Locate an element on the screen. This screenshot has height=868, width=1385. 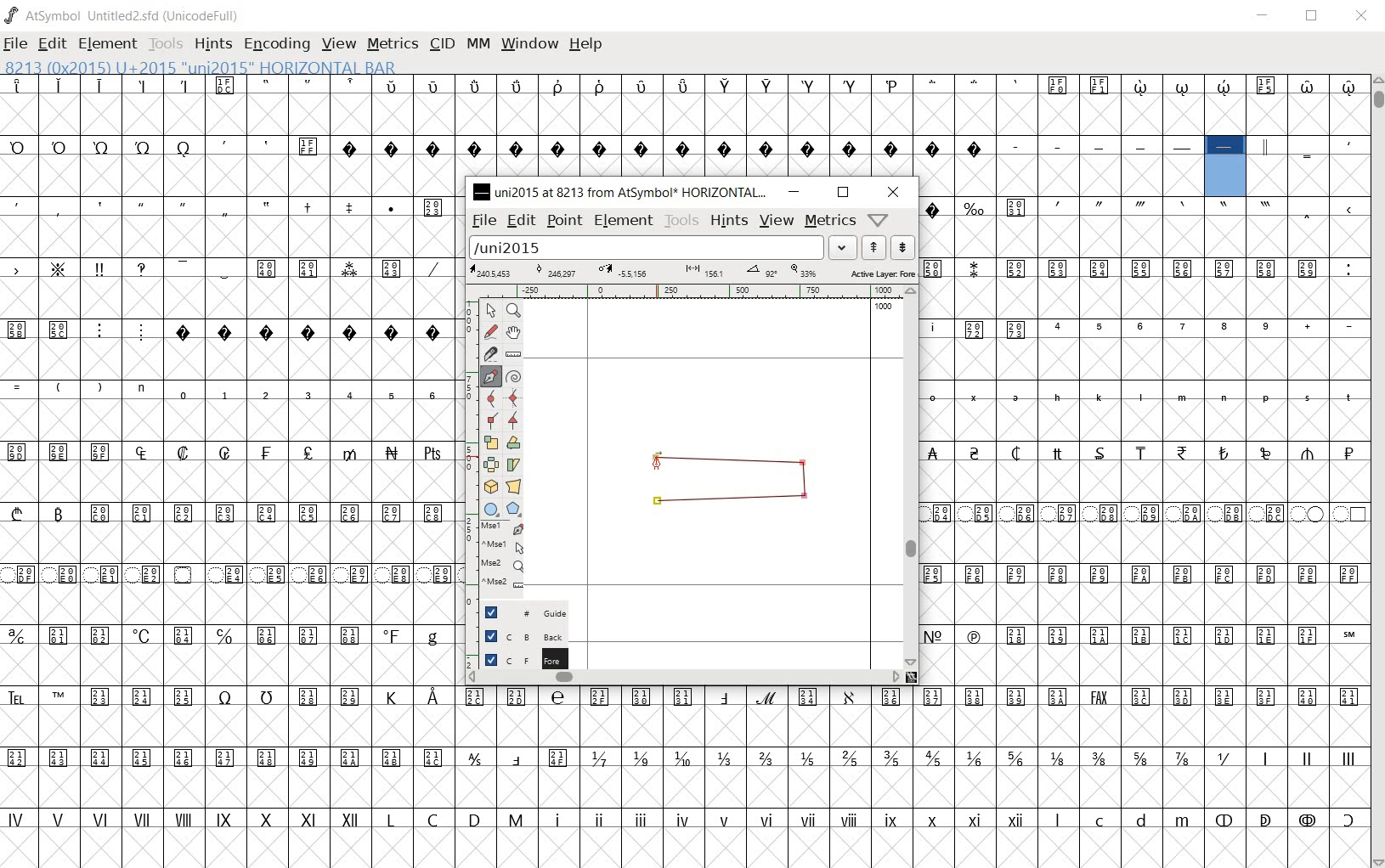
hints is located at coordinates (730, 223).